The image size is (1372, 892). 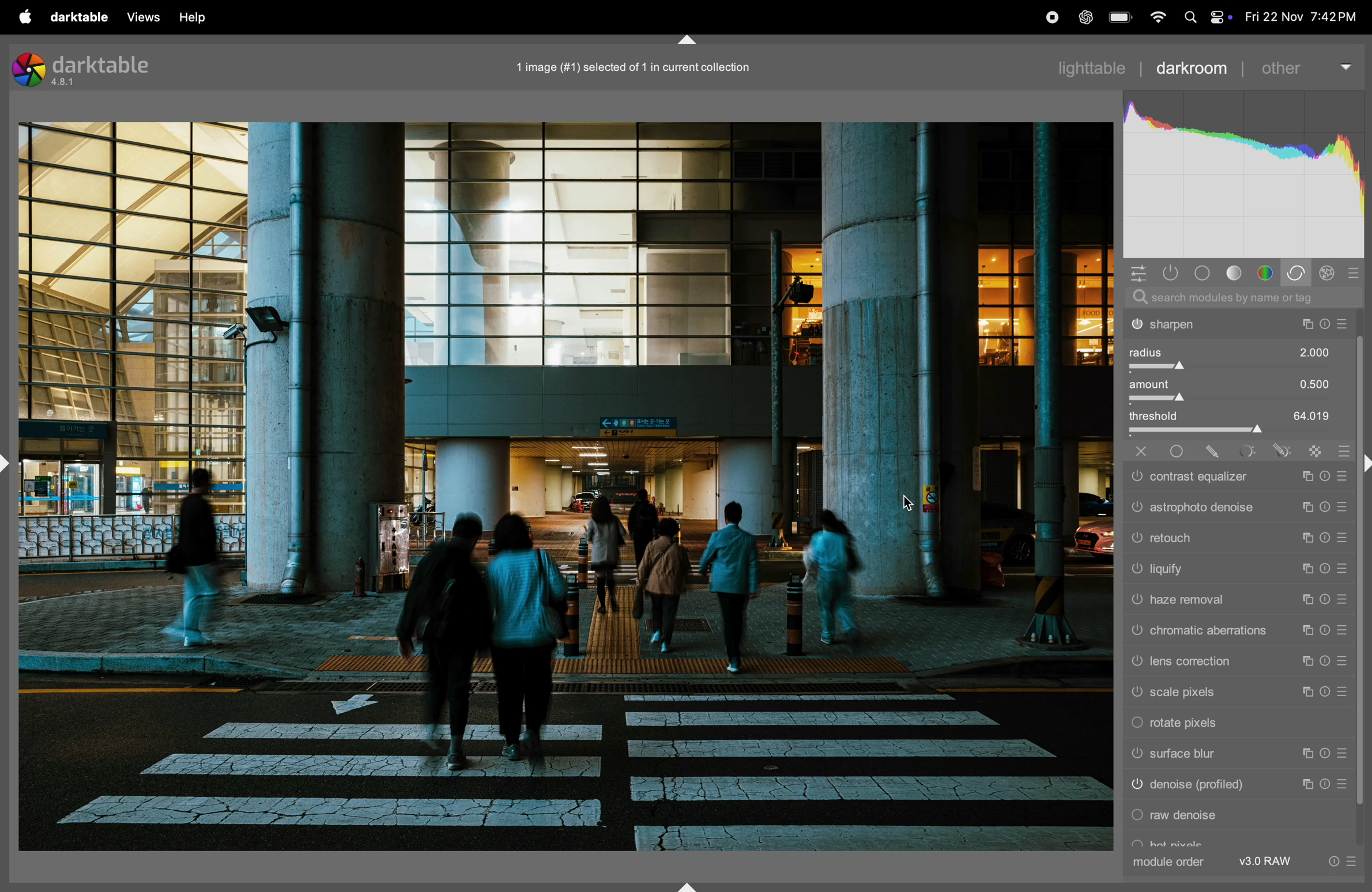 What do you see at coordinates (1239, 420) in the screenshot?
I see `threshold` at bounding box center [1239, 420].